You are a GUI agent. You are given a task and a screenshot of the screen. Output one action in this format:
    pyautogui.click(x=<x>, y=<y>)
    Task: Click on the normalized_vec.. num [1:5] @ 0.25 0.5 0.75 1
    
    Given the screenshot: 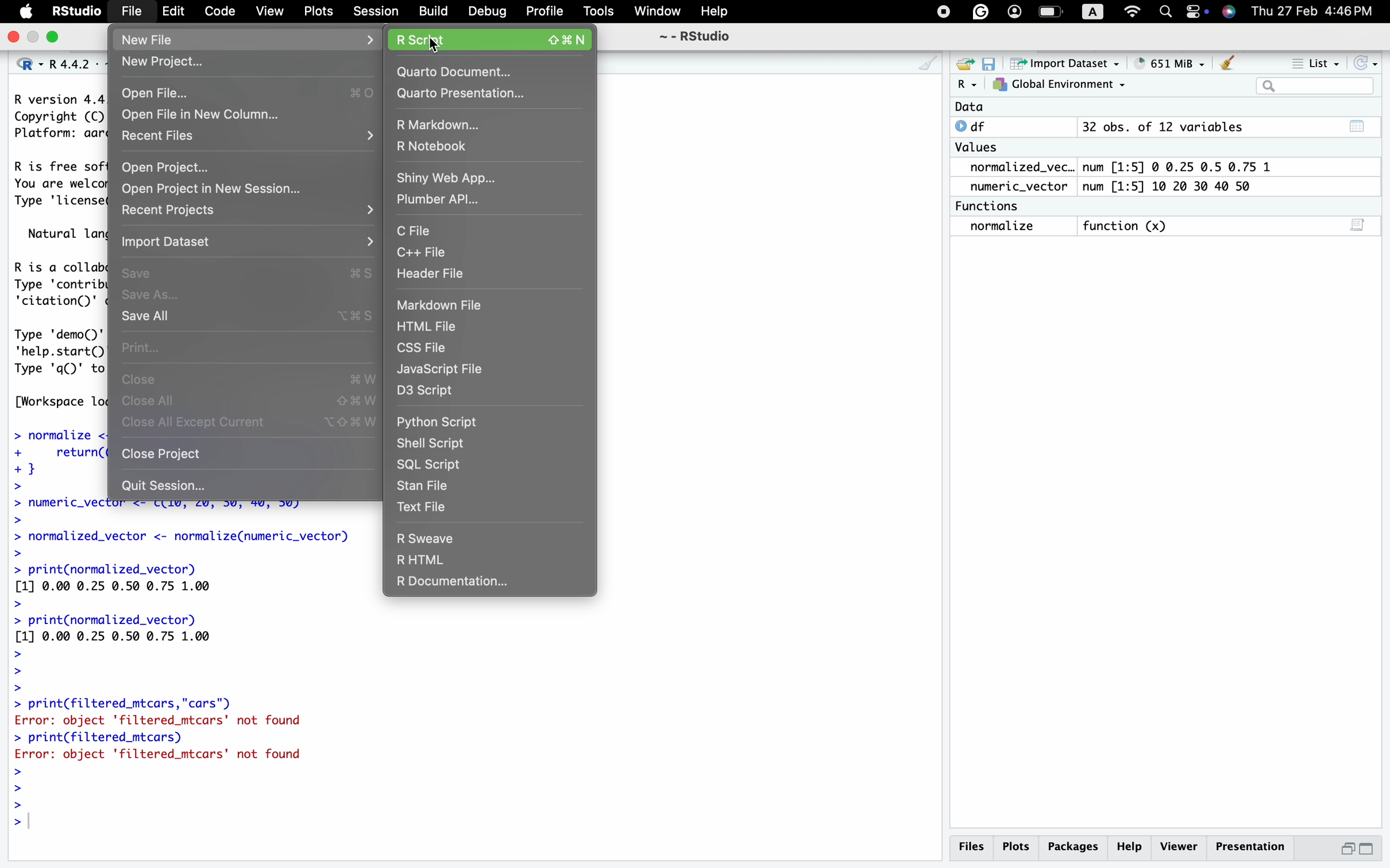 What is the action you would take?
    pyautogui.click(x=1125, y=166)
    